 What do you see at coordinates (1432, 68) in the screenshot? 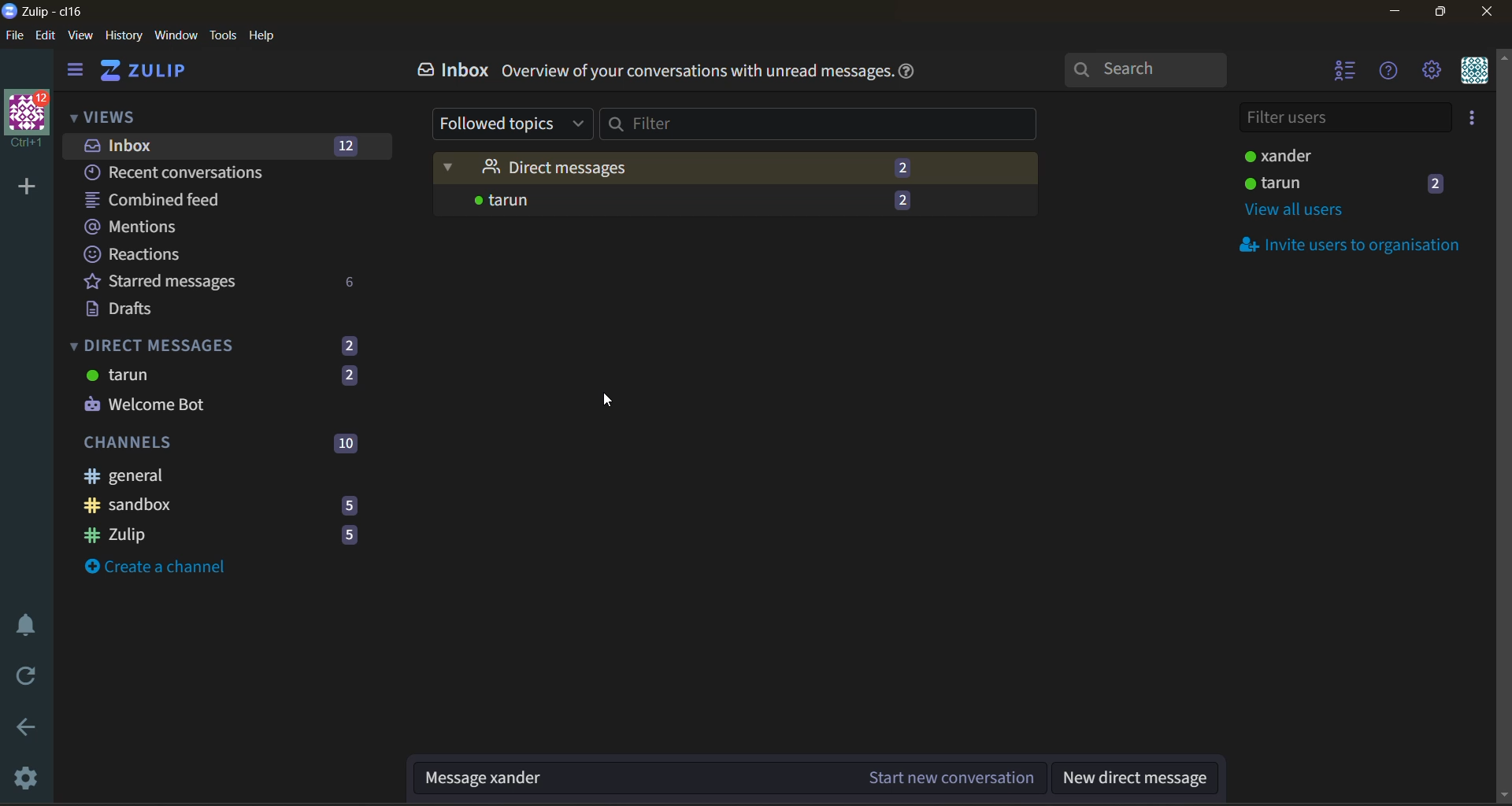
I see `settings` at bounding box center [1432, 68].